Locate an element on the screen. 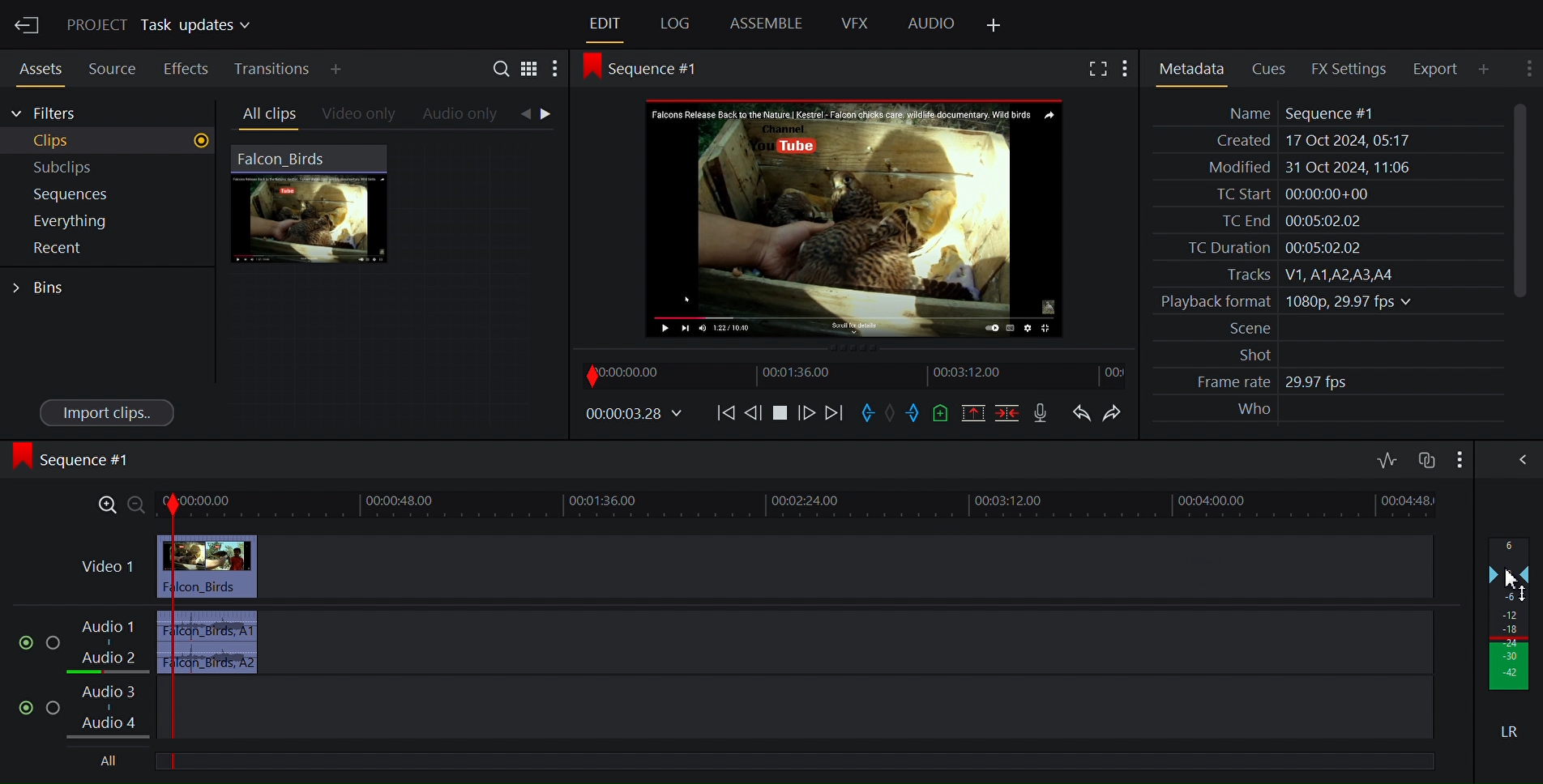 The width and height of the screenshot is (1543, 784). FX Settings is located at coordinates (1347, 68).